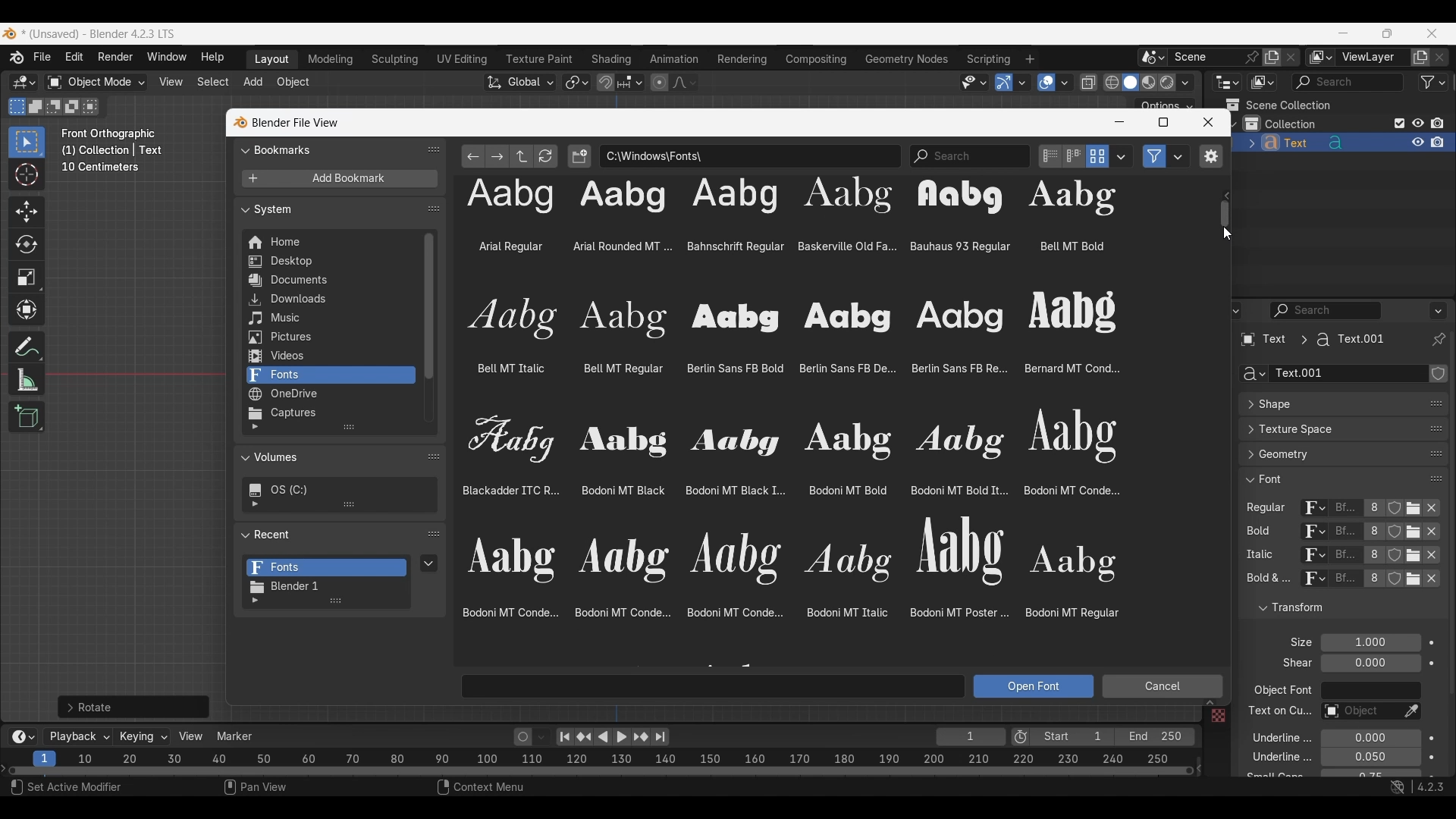  Describe the element at coordinates (1021, 737) in the screenshot. I see `Use preview range` at that location.